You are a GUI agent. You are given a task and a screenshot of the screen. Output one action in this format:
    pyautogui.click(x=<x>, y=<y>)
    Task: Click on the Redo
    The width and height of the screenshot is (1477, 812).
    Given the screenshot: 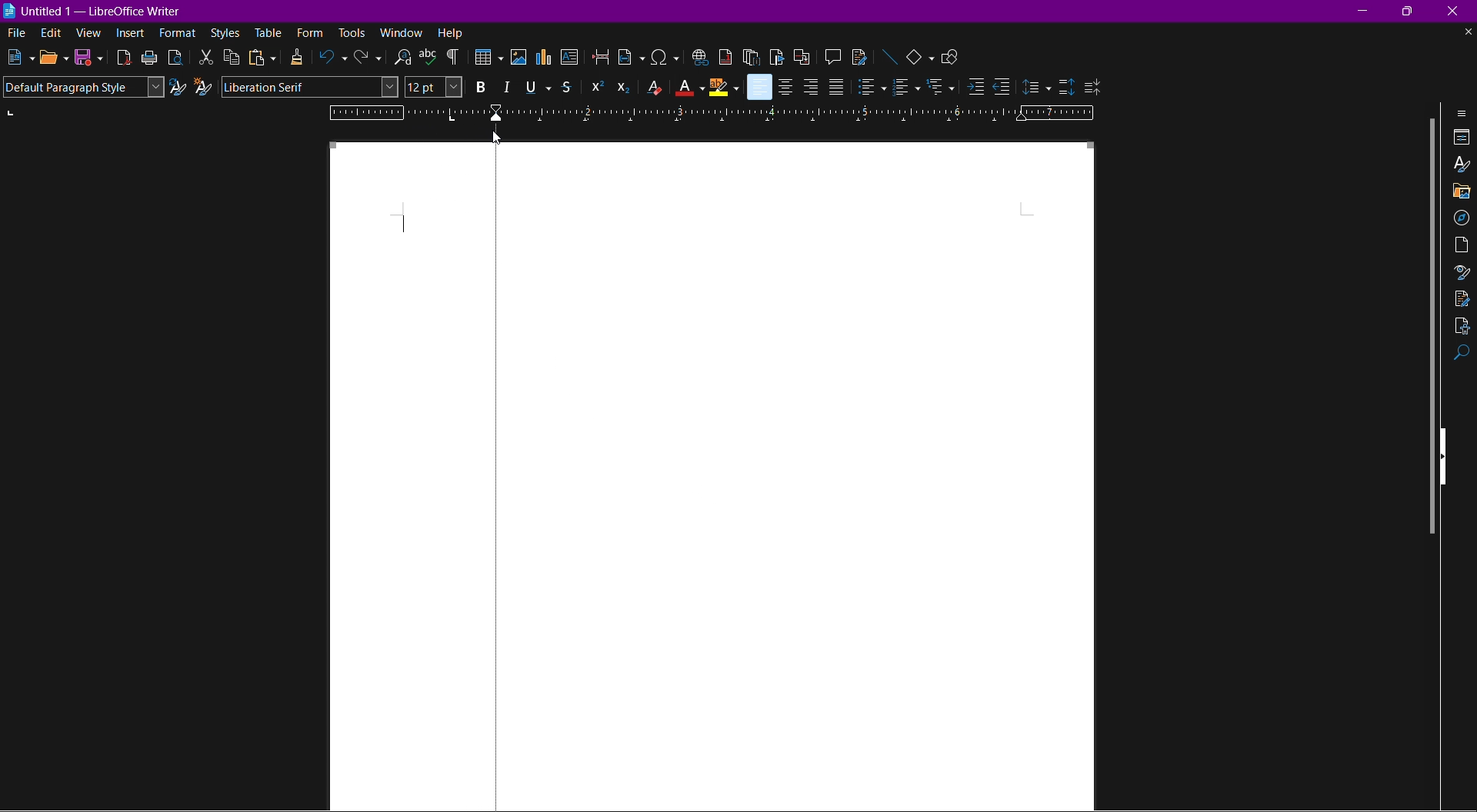 What is the action you would take?
    pyautogui.click(x=367, y=59)
    